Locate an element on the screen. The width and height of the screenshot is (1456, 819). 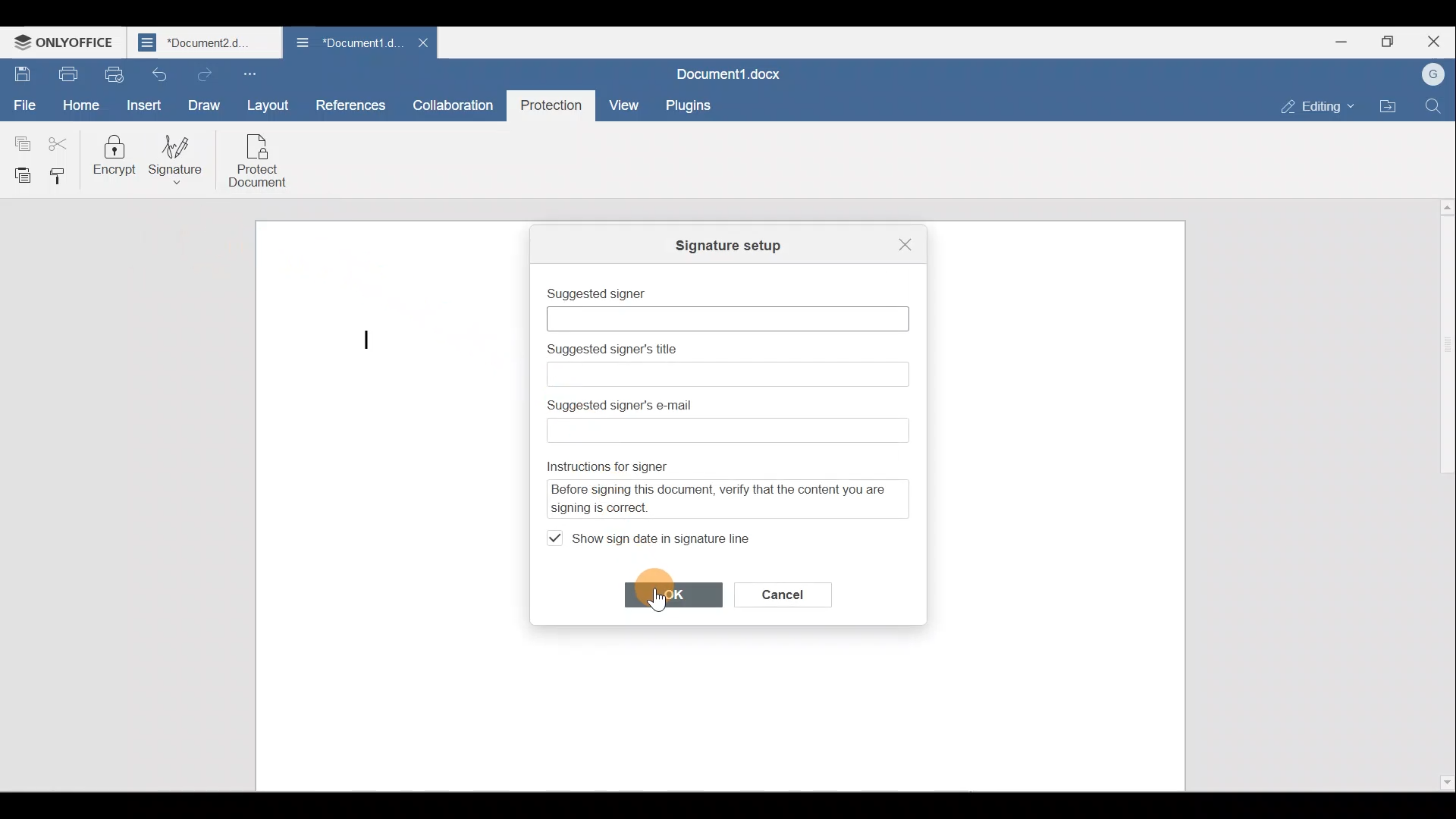
Close is located at coordinates (1433, 42).